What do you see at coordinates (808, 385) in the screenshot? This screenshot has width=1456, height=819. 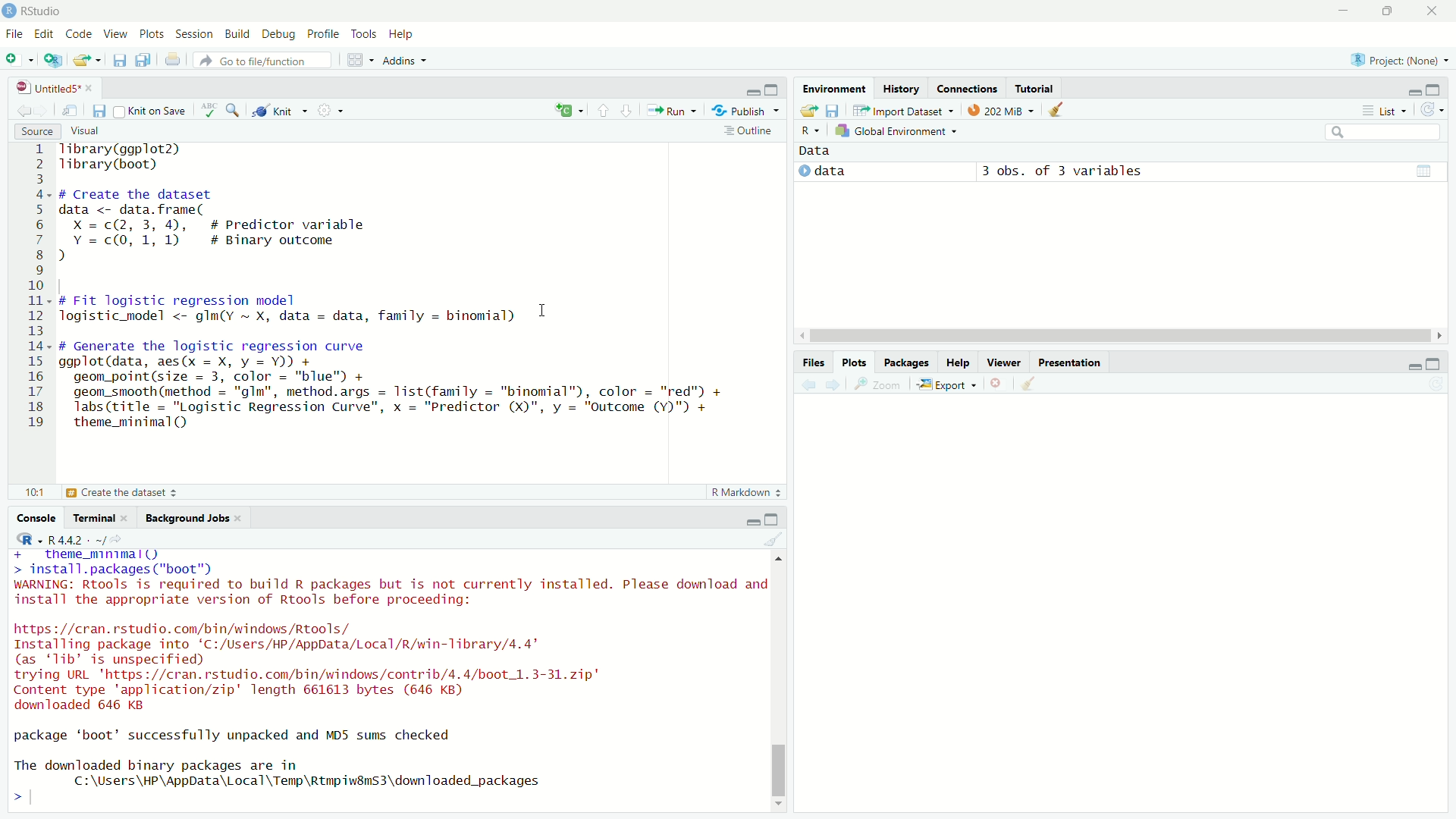 I see `Previous plot` at bounding box center [808, 385].